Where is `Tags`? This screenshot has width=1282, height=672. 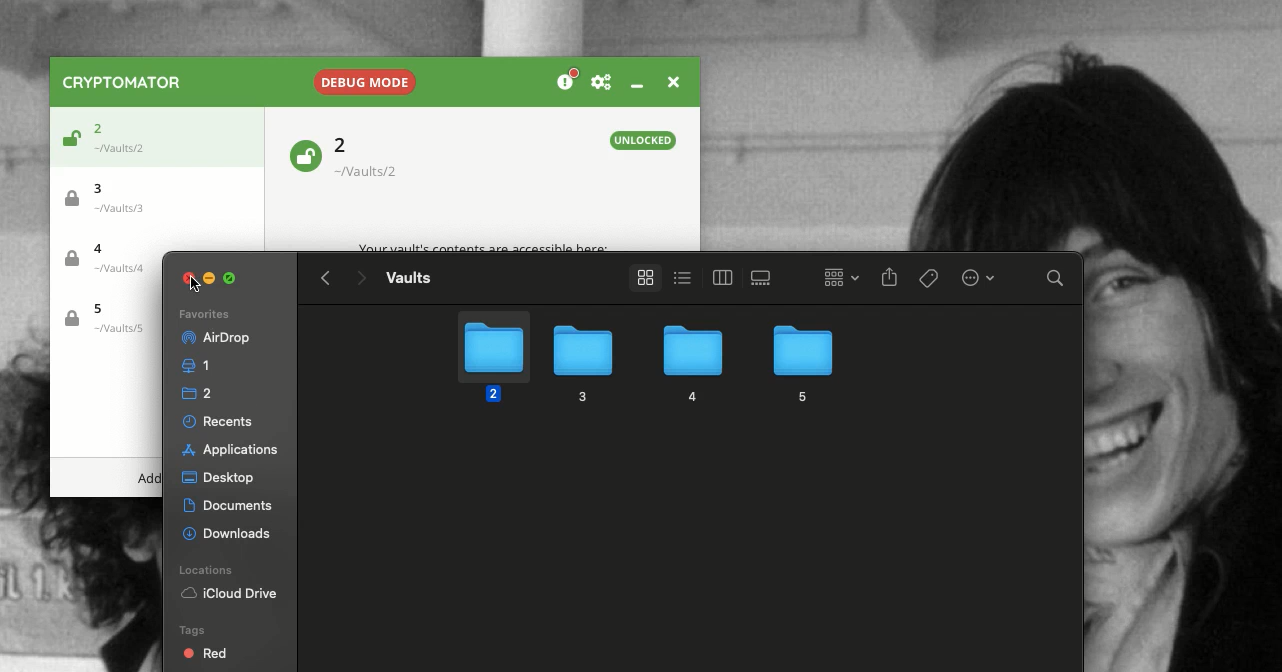 Tags is located at coordinates (930, 278).